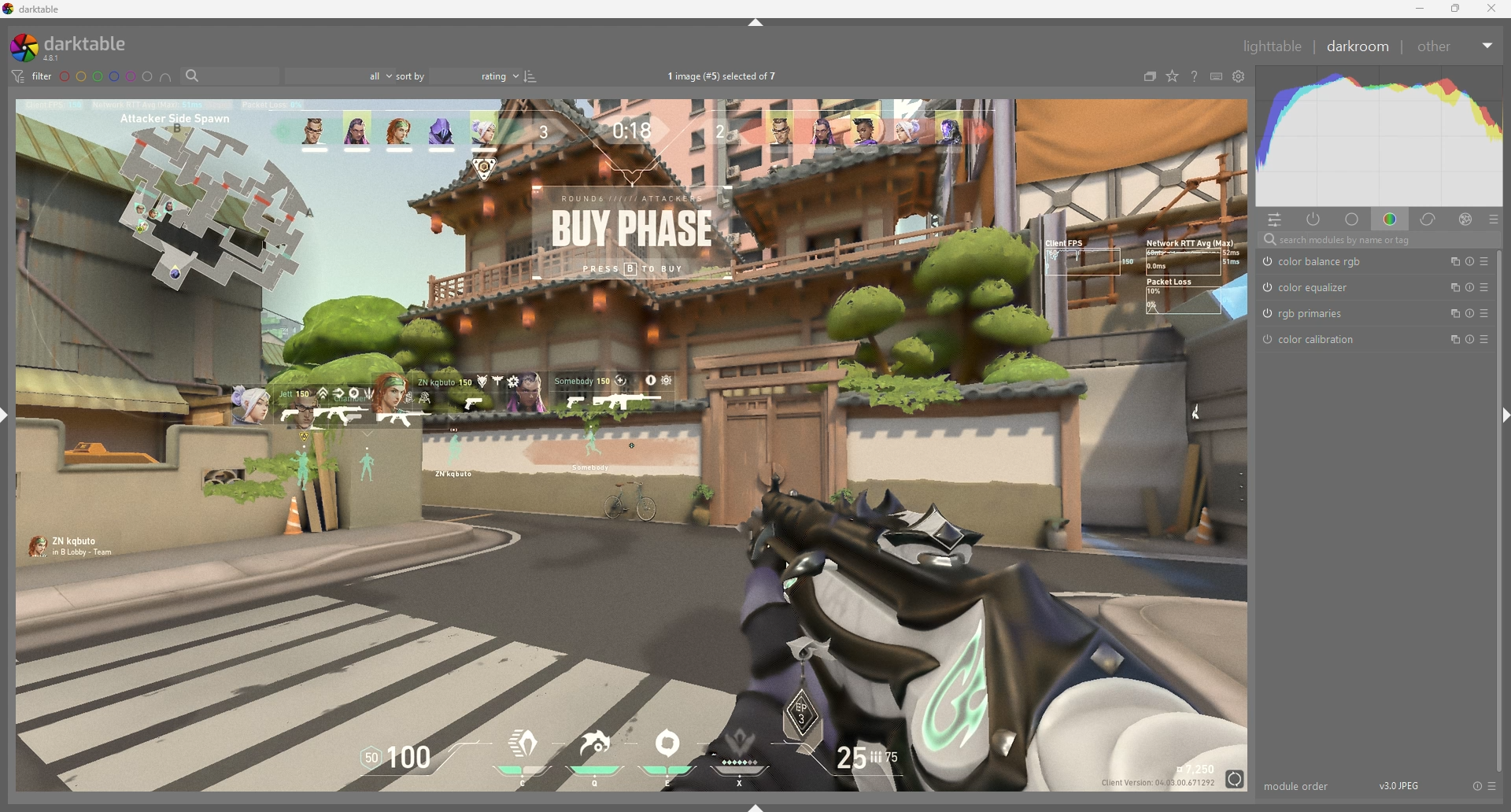 This screenshot has width=1511, height=812. What do you see at coordinates (1310, 286) in the screenshot?
I see `color equalizer` at bounding box center [1310, 286].